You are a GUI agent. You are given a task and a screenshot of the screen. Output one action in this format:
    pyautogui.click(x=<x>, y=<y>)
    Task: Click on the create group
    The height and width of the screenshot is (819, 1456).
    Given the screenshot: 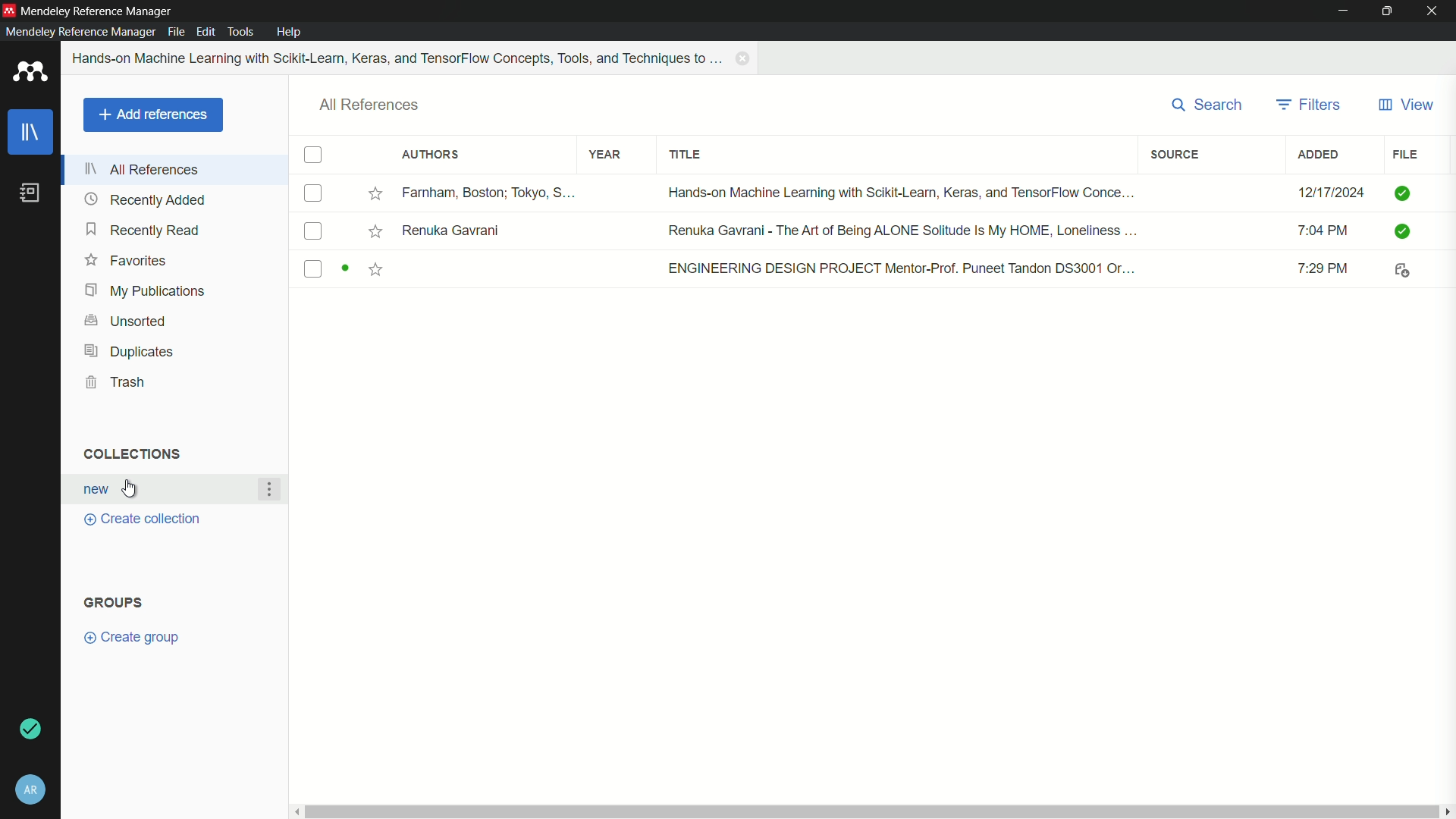 What is the action you would take?
    pyautogui.click(x=131, y=638)
    